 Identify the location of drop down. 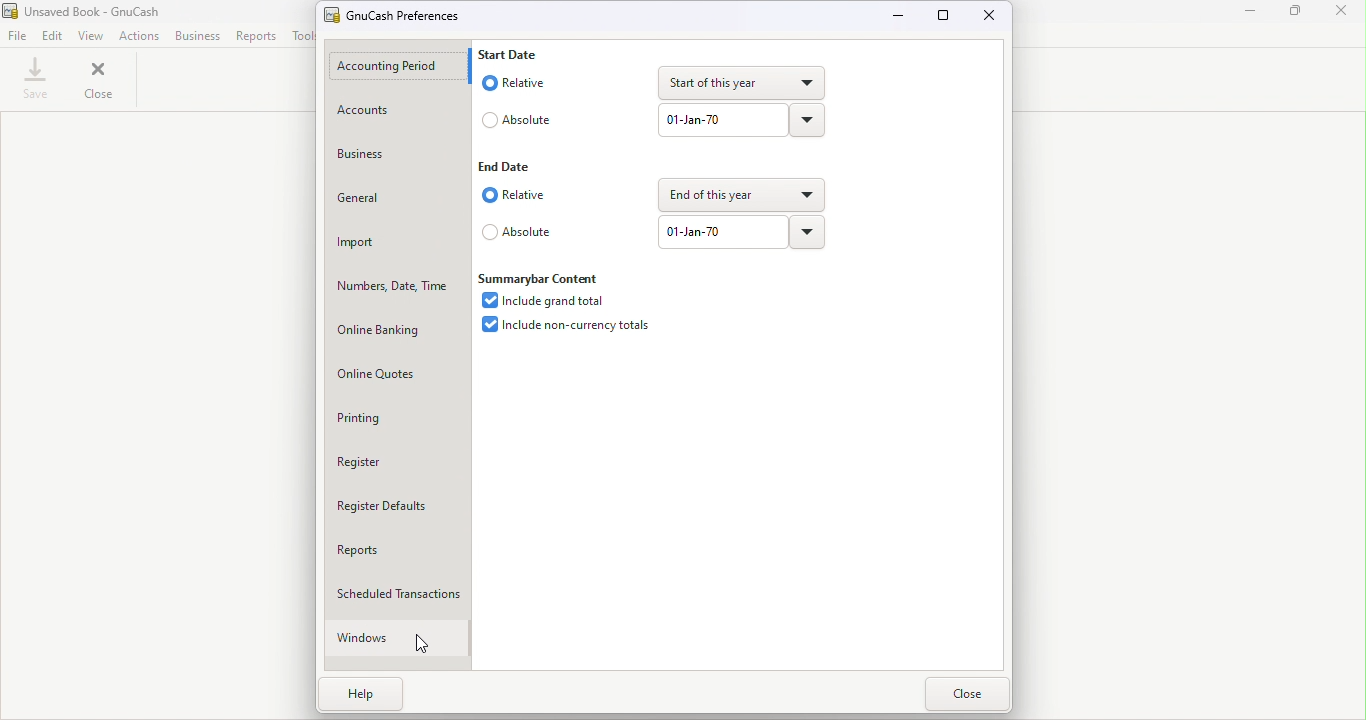
(741, 84).